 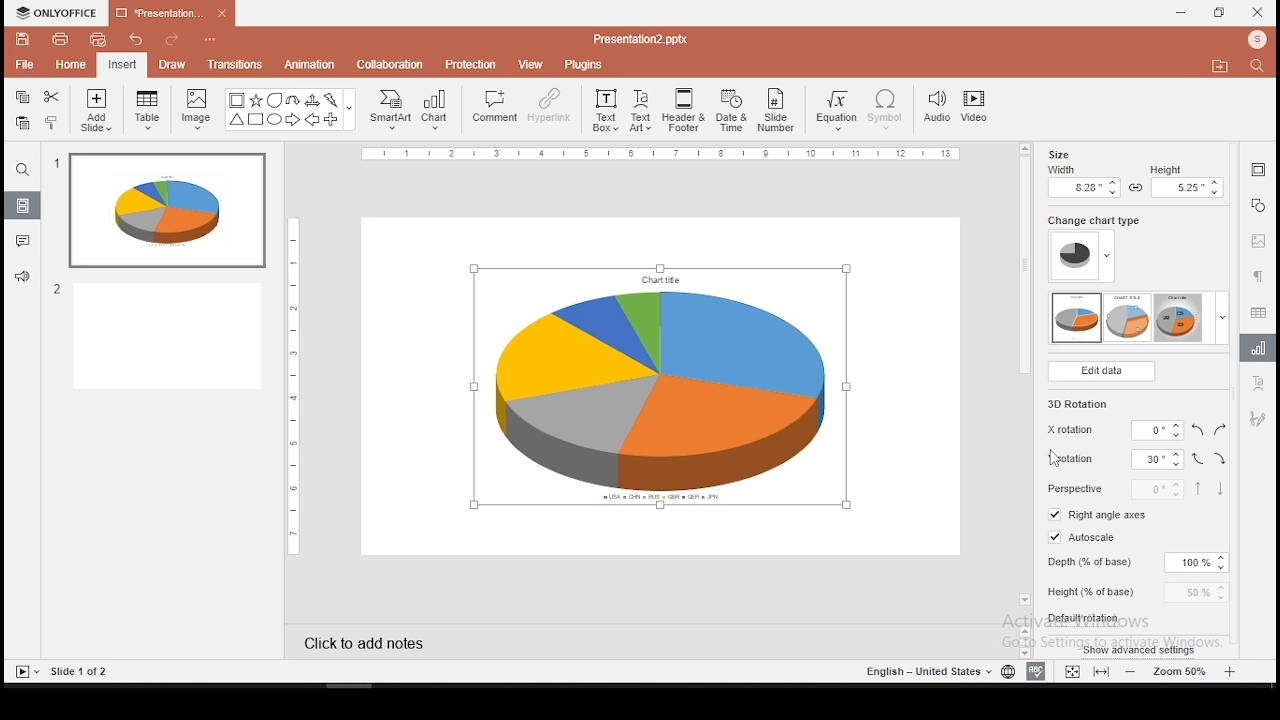 I want to click on symbol, so click(x=885, y=110).